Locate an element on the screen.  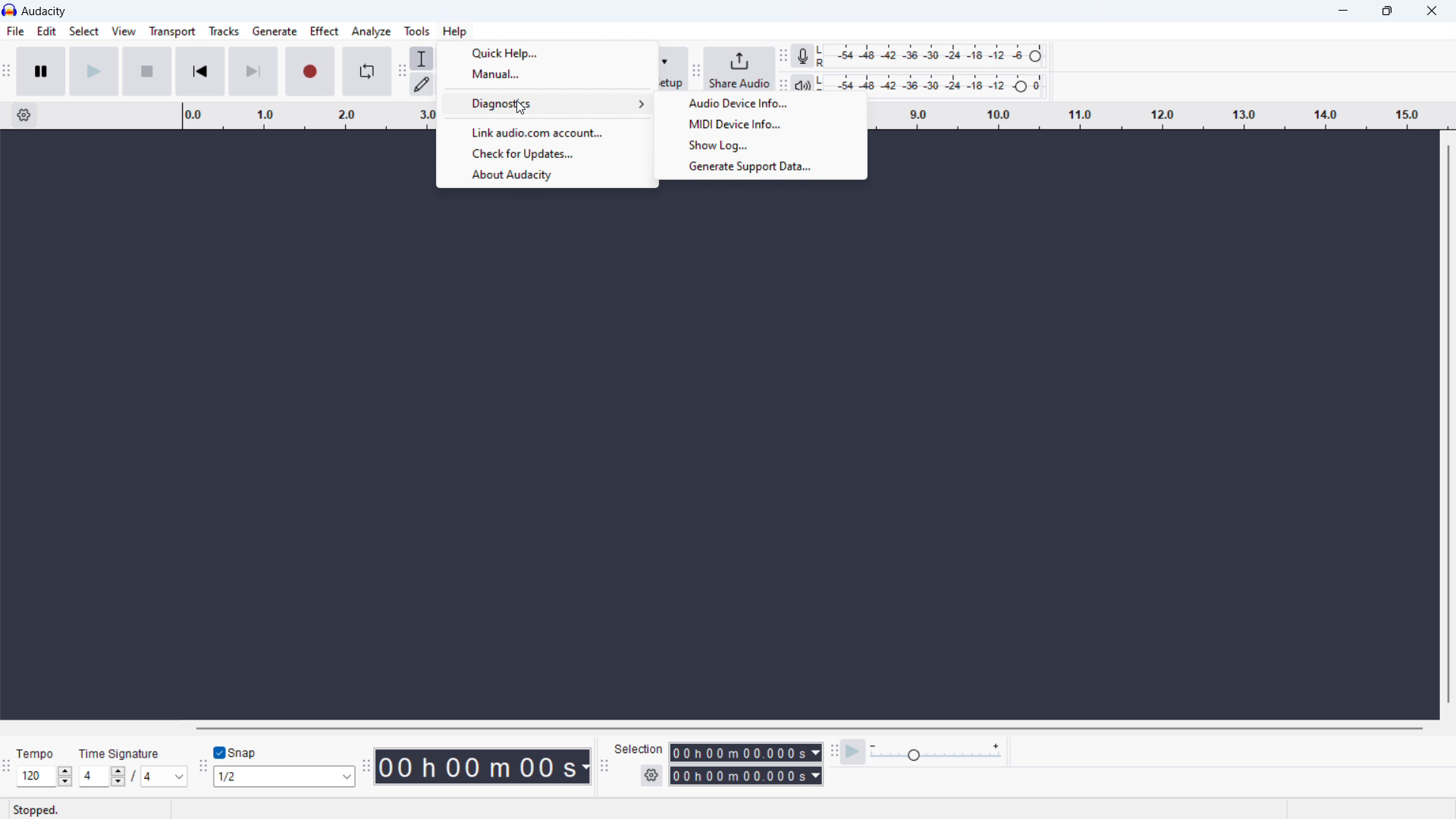
set time signature is located at coordinates (129, 777).